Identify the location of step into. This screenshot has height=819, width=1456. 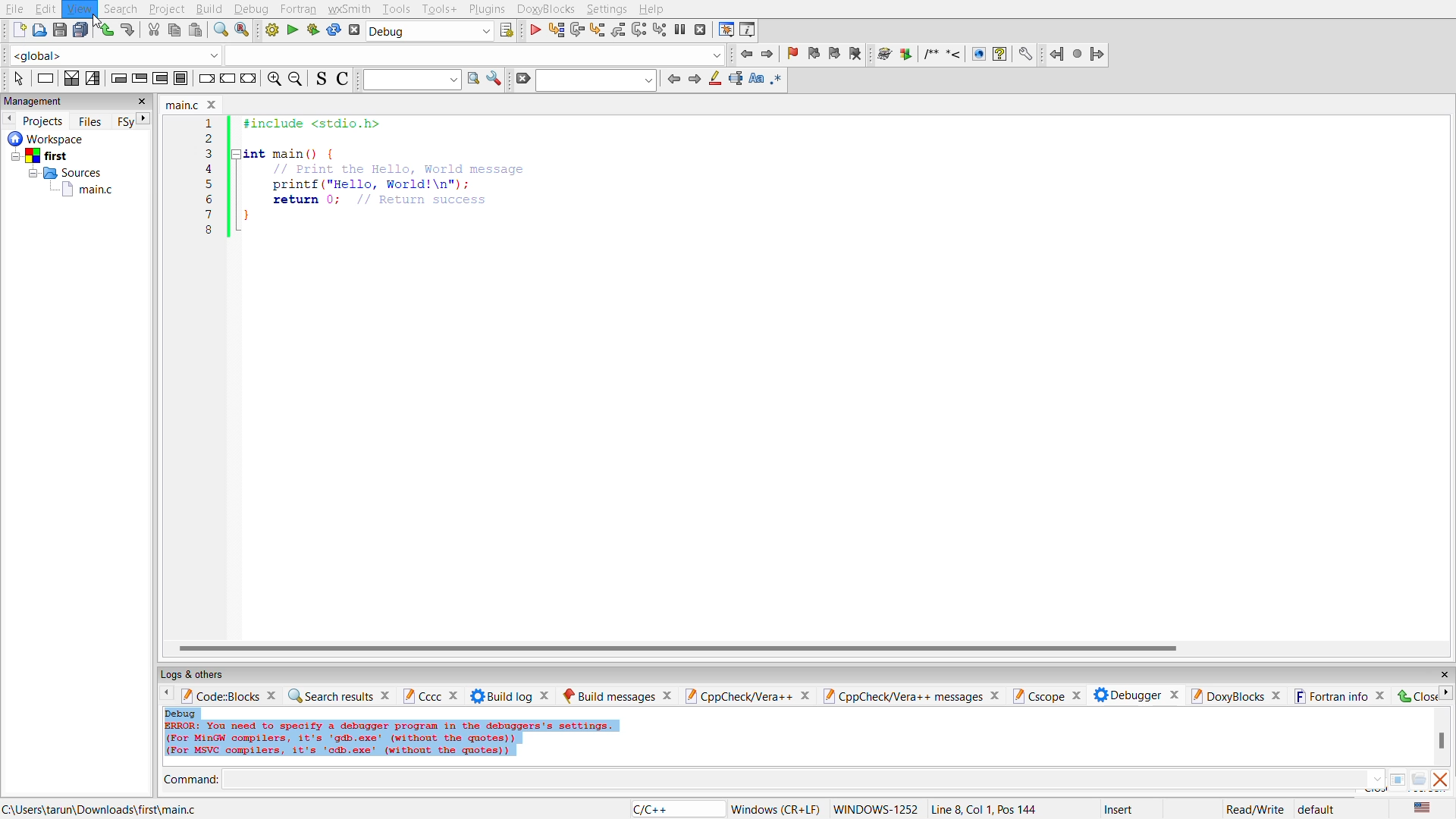
(598, 30).